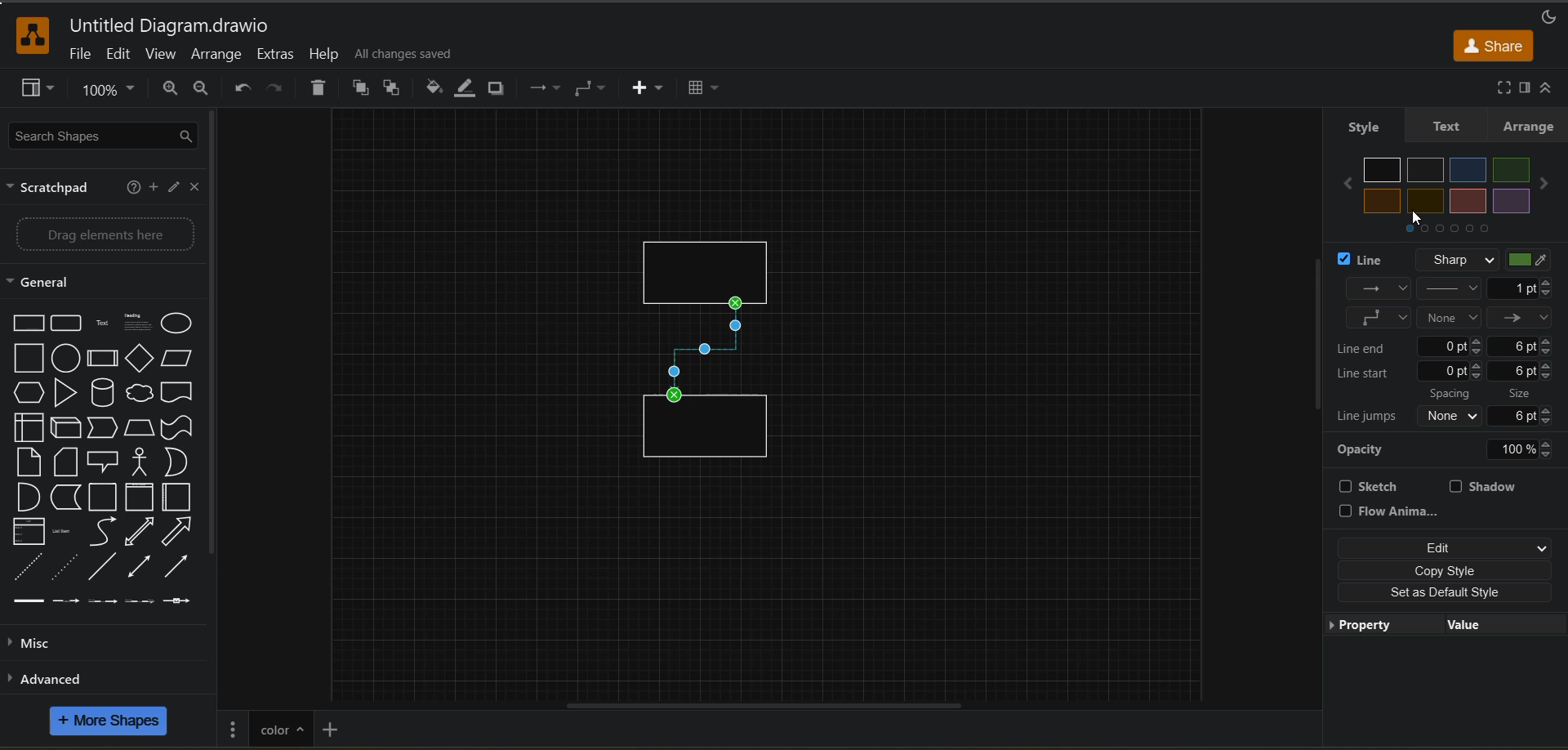 This screenshot has height=750, width=1568. What do you see at coordinates (1535, 261) in the screenshot?
I see `line color` at bounding box center [1535, 261].